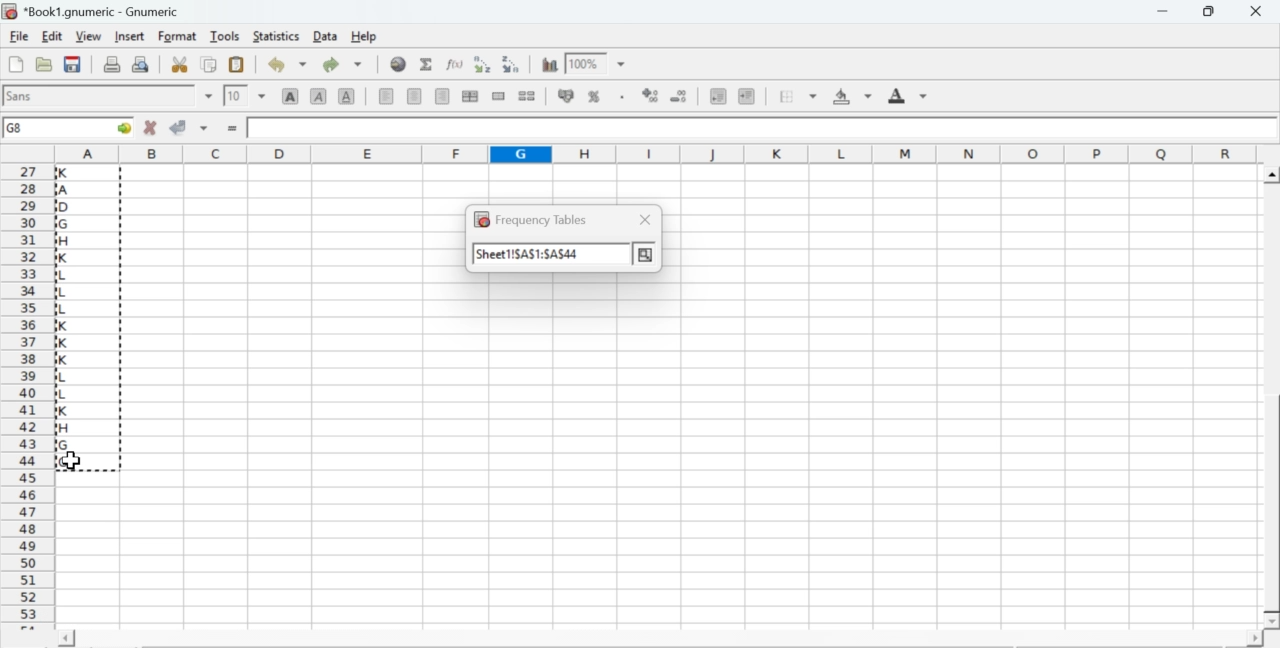 This screenshot has width=1280, height=648. What do you see at coordinates (70, 172) in the screenshot?
I see `cursor` at bounding box center [70, 172].